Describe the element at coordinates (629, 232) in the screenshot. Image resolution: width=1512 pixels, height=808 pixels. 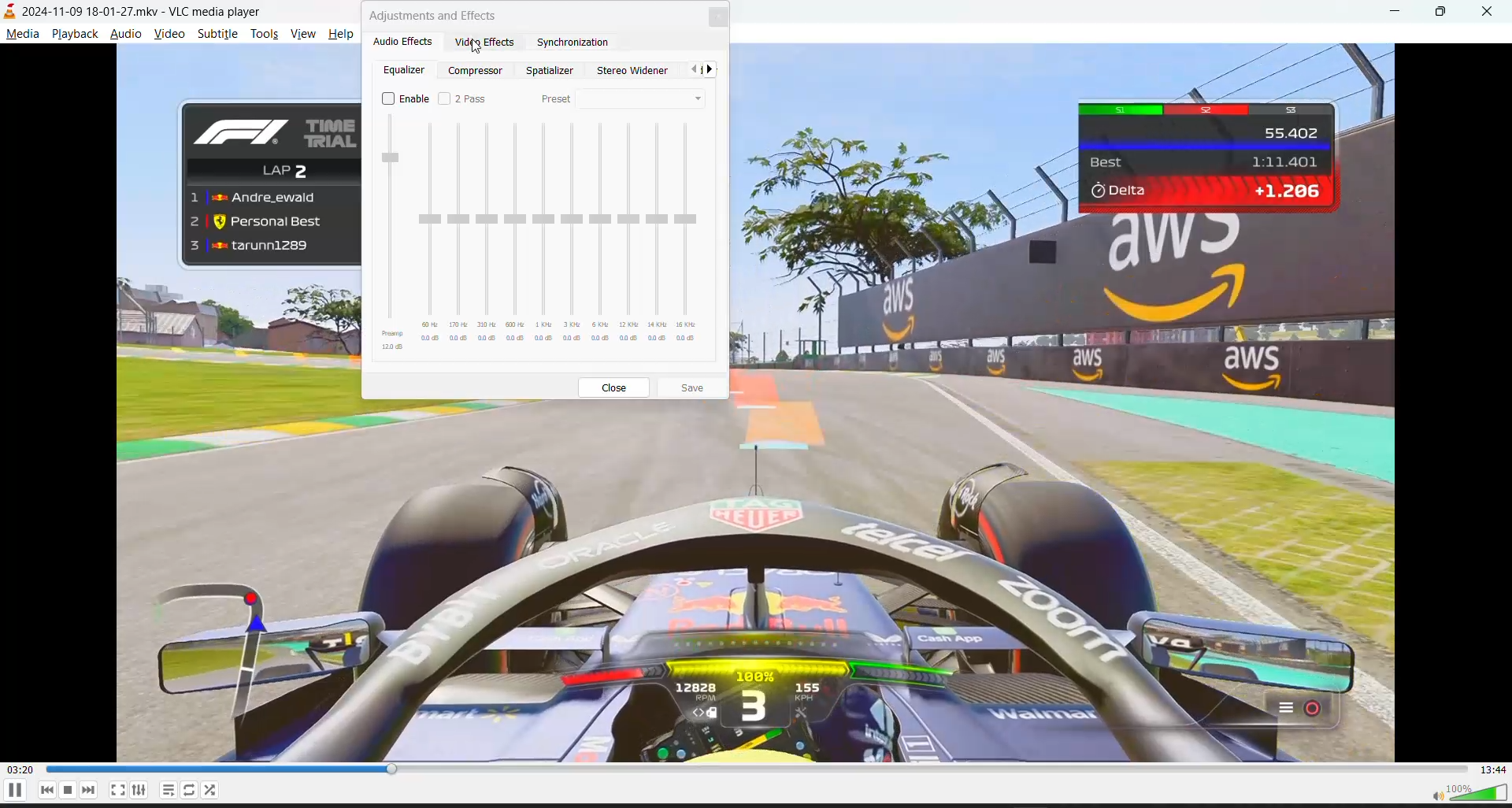
I see `slider` at that location.